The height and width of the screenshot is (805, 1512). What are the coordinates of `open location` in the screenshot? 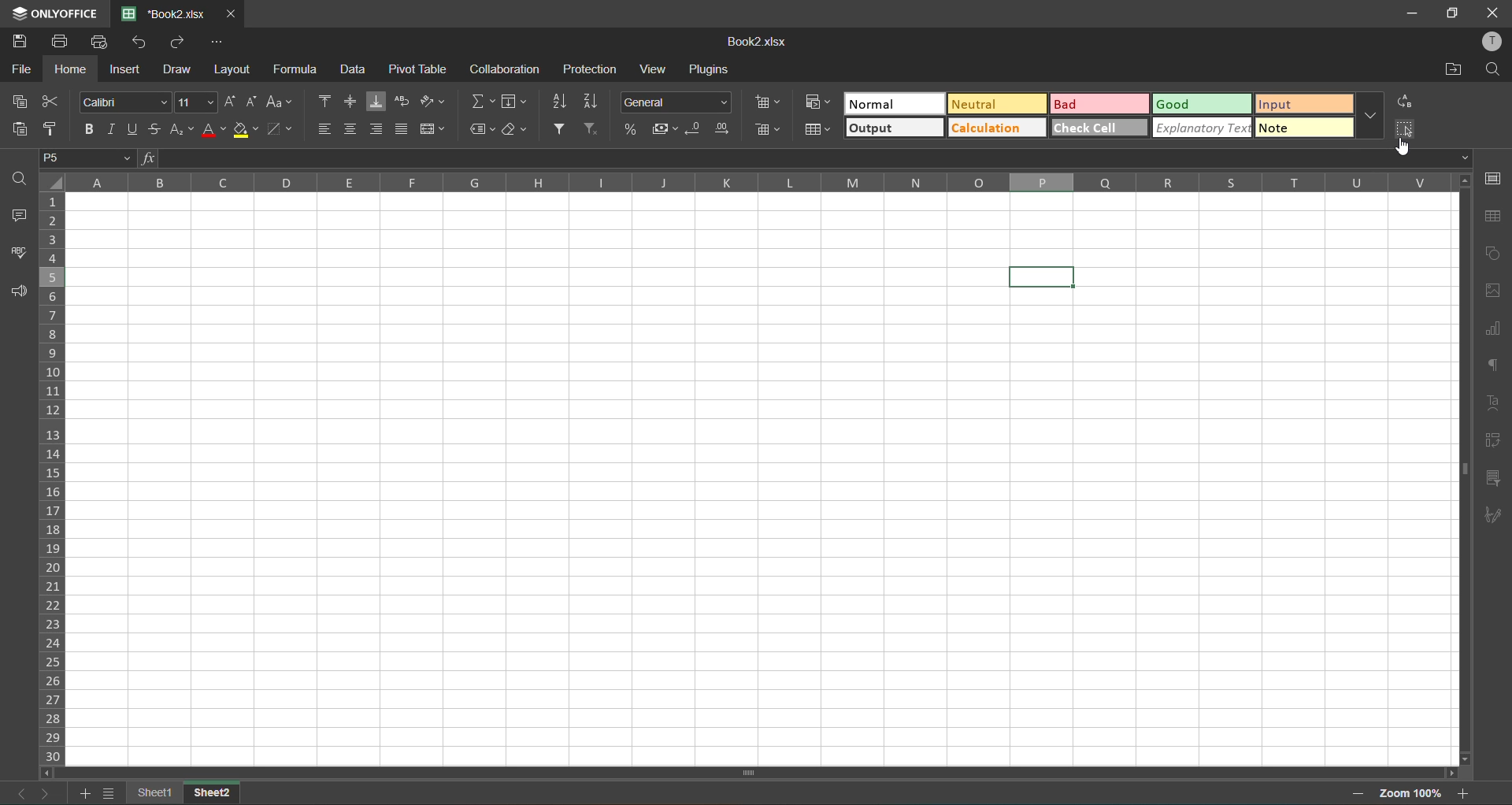 It's located at (1452, 71).